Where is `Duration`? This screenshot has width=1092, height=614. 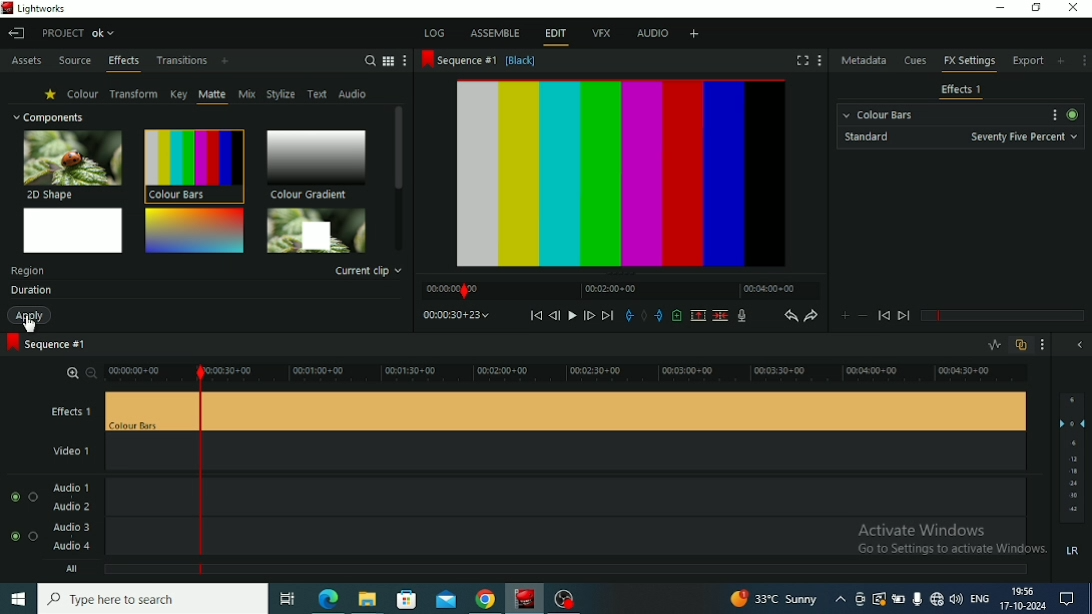
Duration is located at coordinates (30, 291).